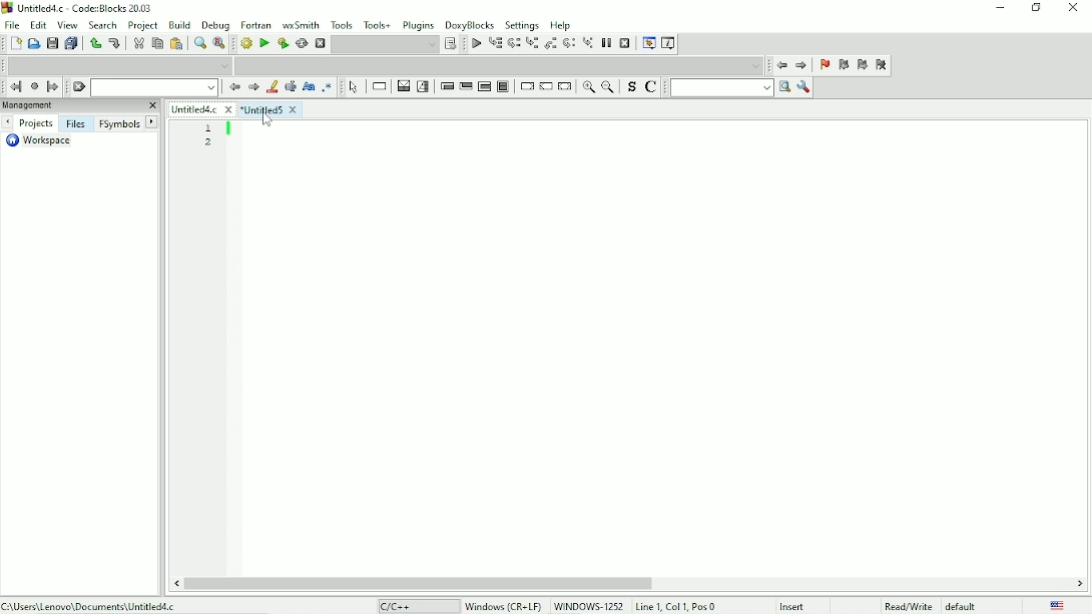  What do you see at coordinates (71, 106) in the screenshot?
I see `Management` at bounding box center [71, 106].